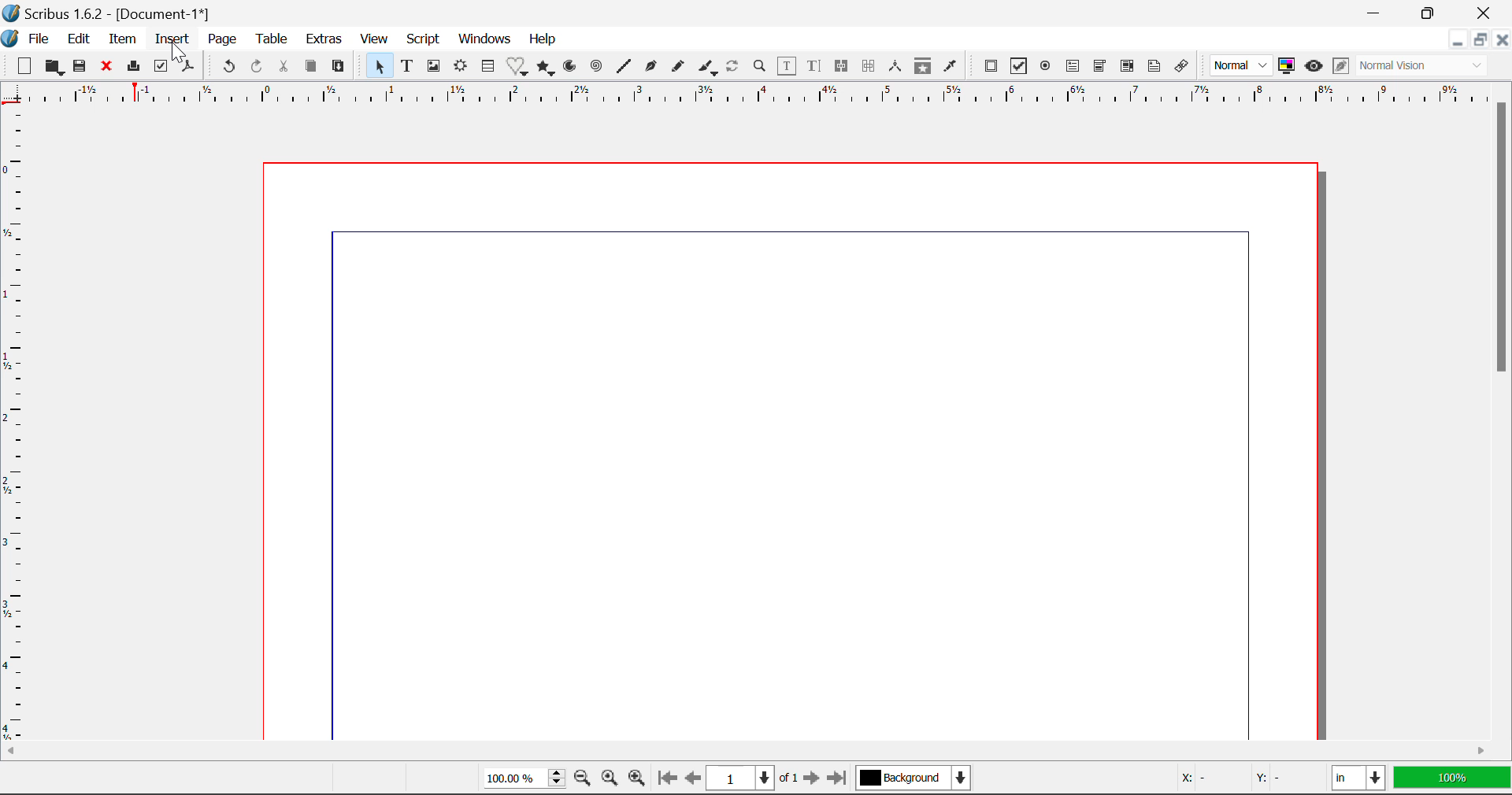 Image resolution: width=1512 pixels, height=795 pixels. Describe the element at coordinates (1047, 68) in the screenshot. I see `Pdf Radio Button` at that location.